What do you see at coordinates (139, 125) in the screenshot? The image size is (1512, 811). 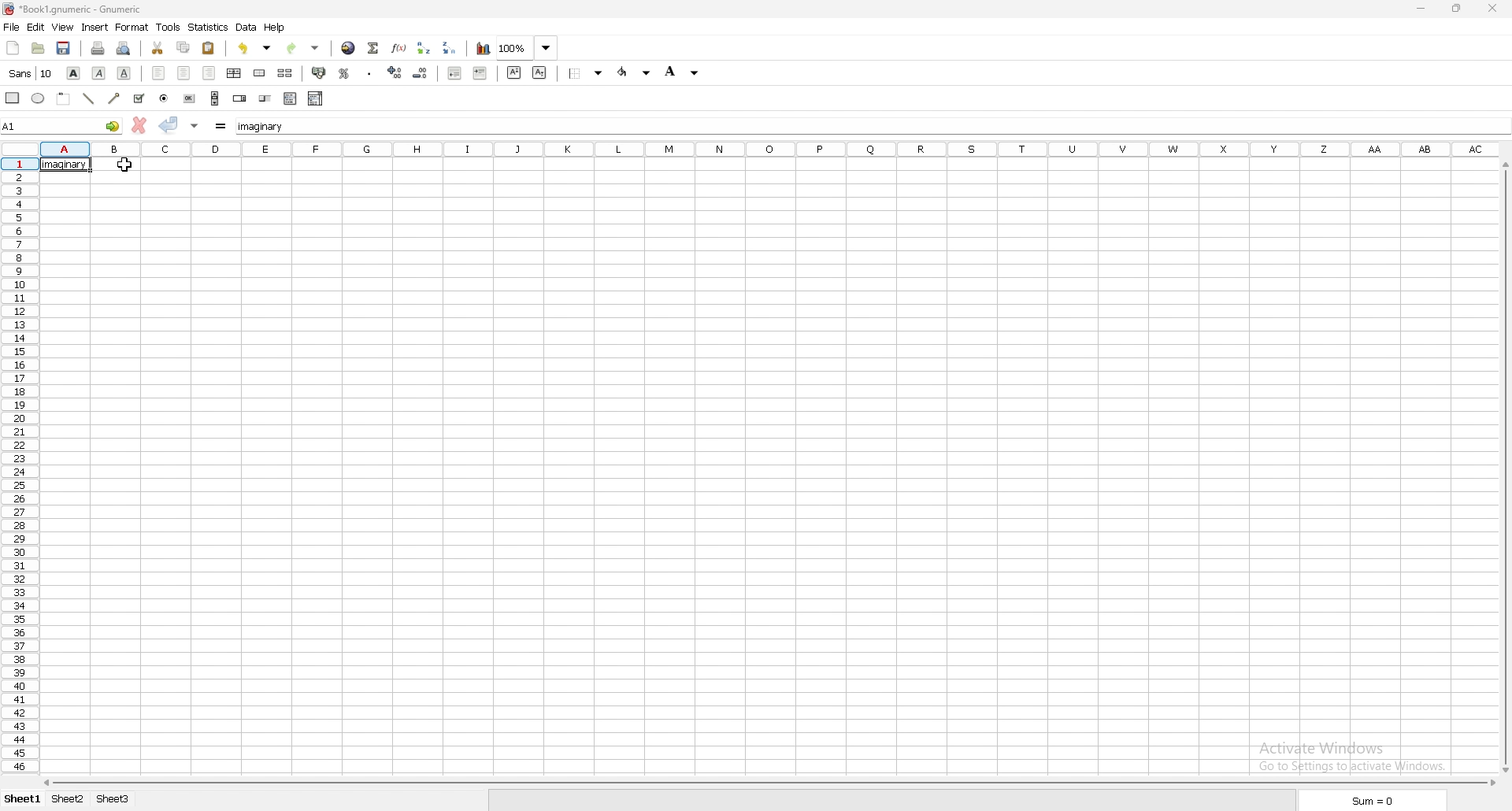 I see `cancel changes` at bounding box center [139, 125].